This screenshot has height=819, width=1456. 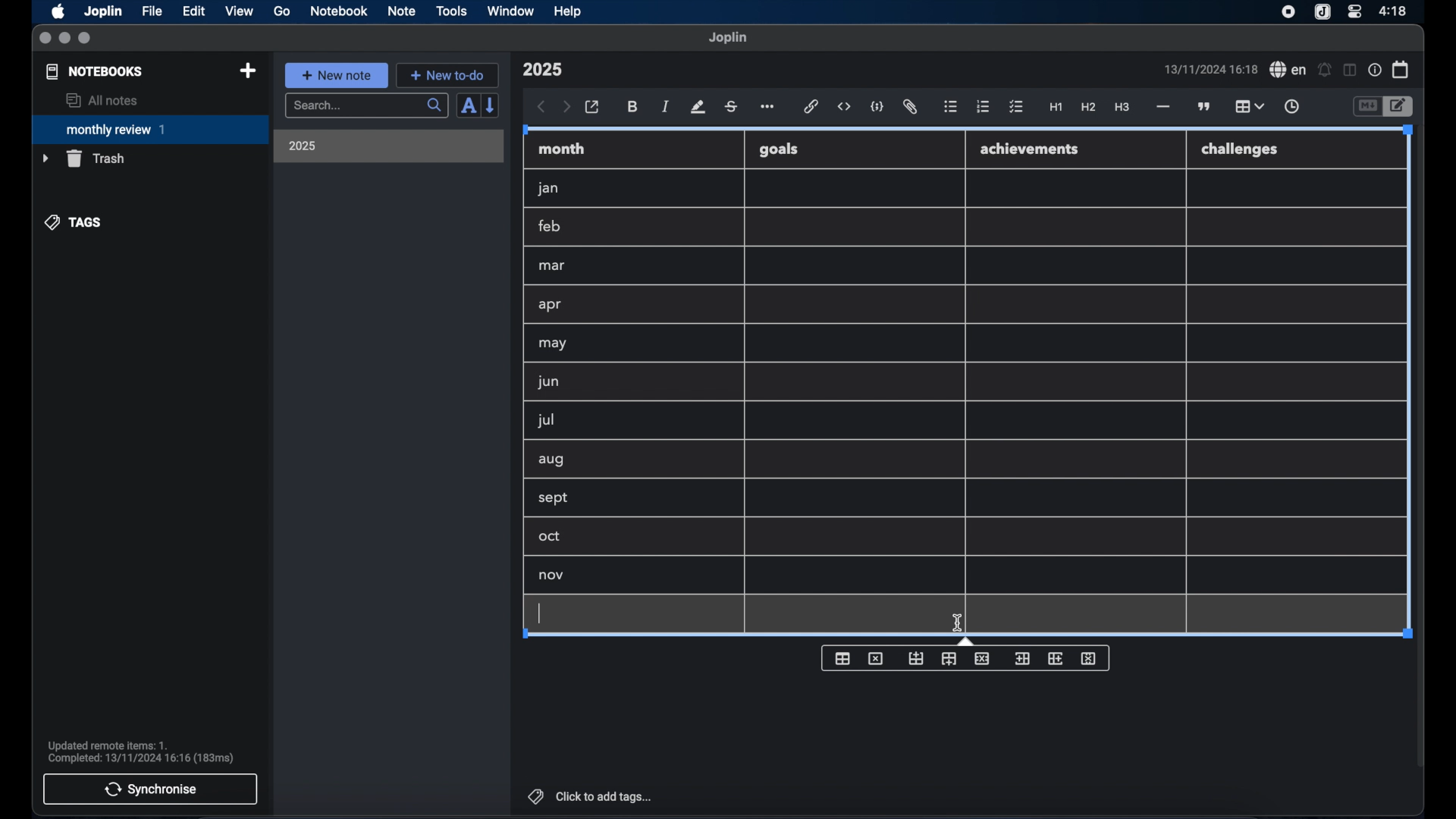 What do you see at coordinates (547, 381) in the screenshot?
I see `jun` at bounding box center [547, 381].